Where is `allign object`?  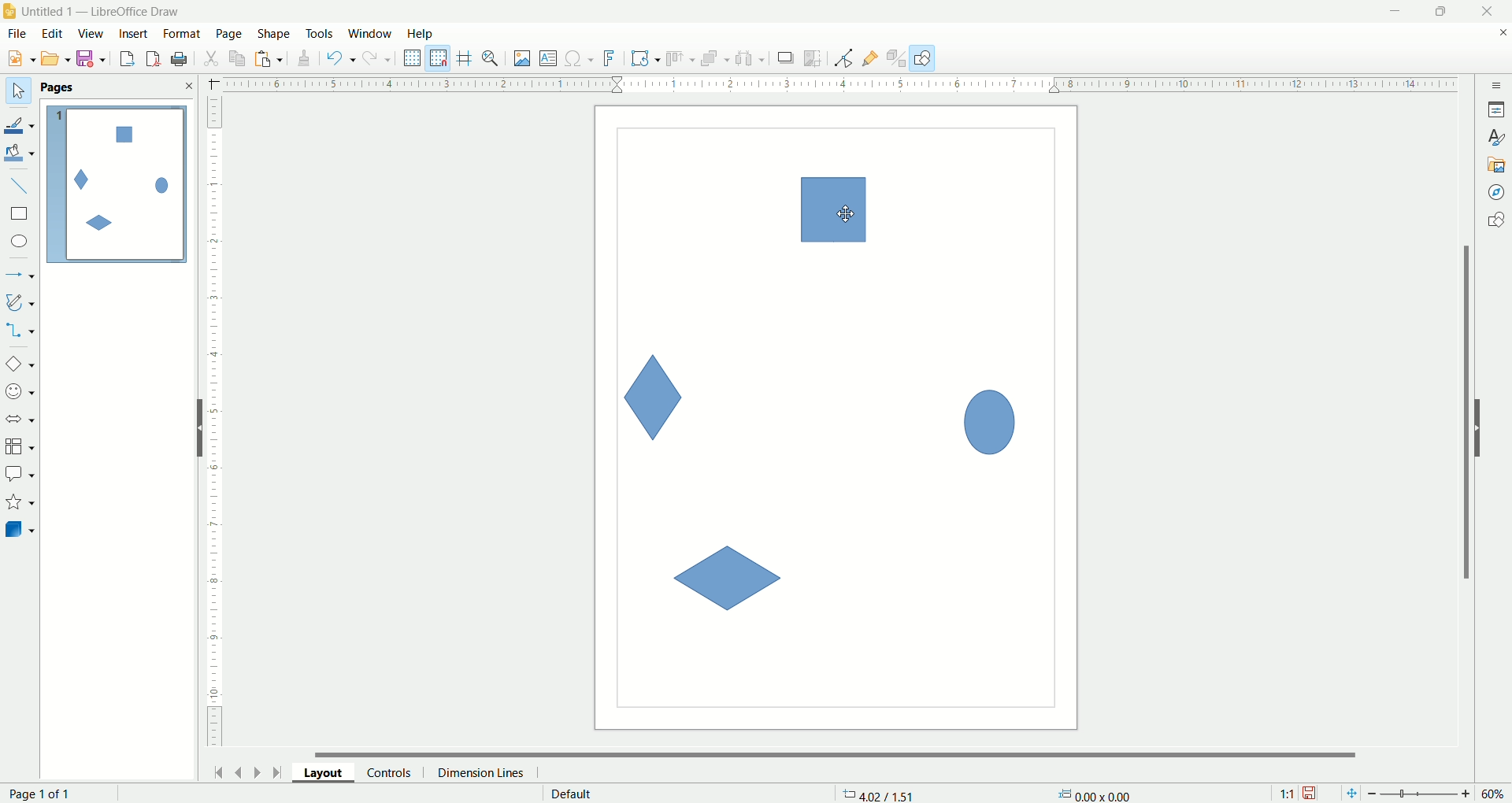
allign object is located at coordinates (681, 59).